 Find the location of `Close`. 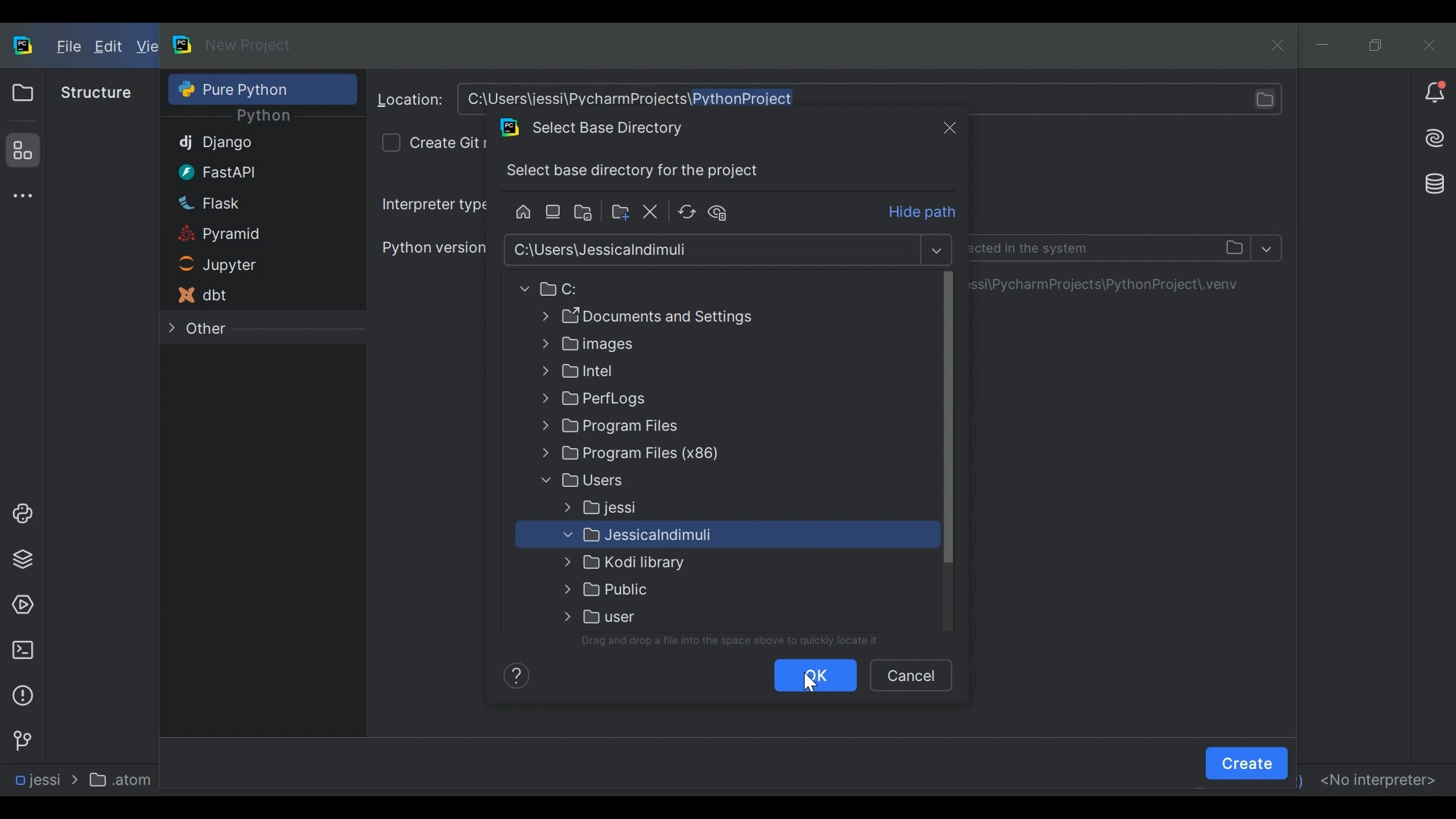

Close is located at coordinates (949, 127).